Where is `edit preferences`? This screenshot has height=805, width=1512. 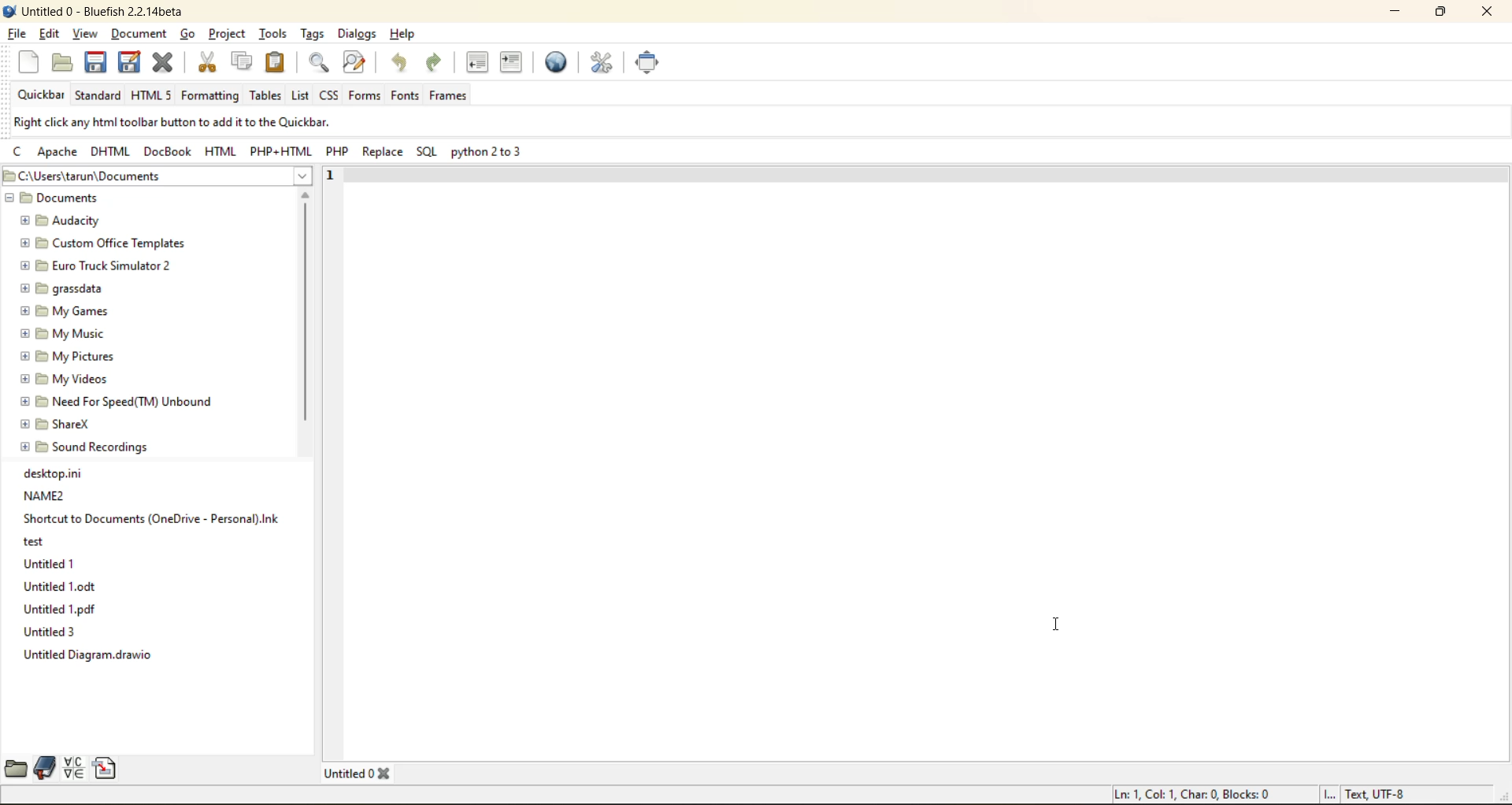 edit preferences is located at coordinates (603, 63).